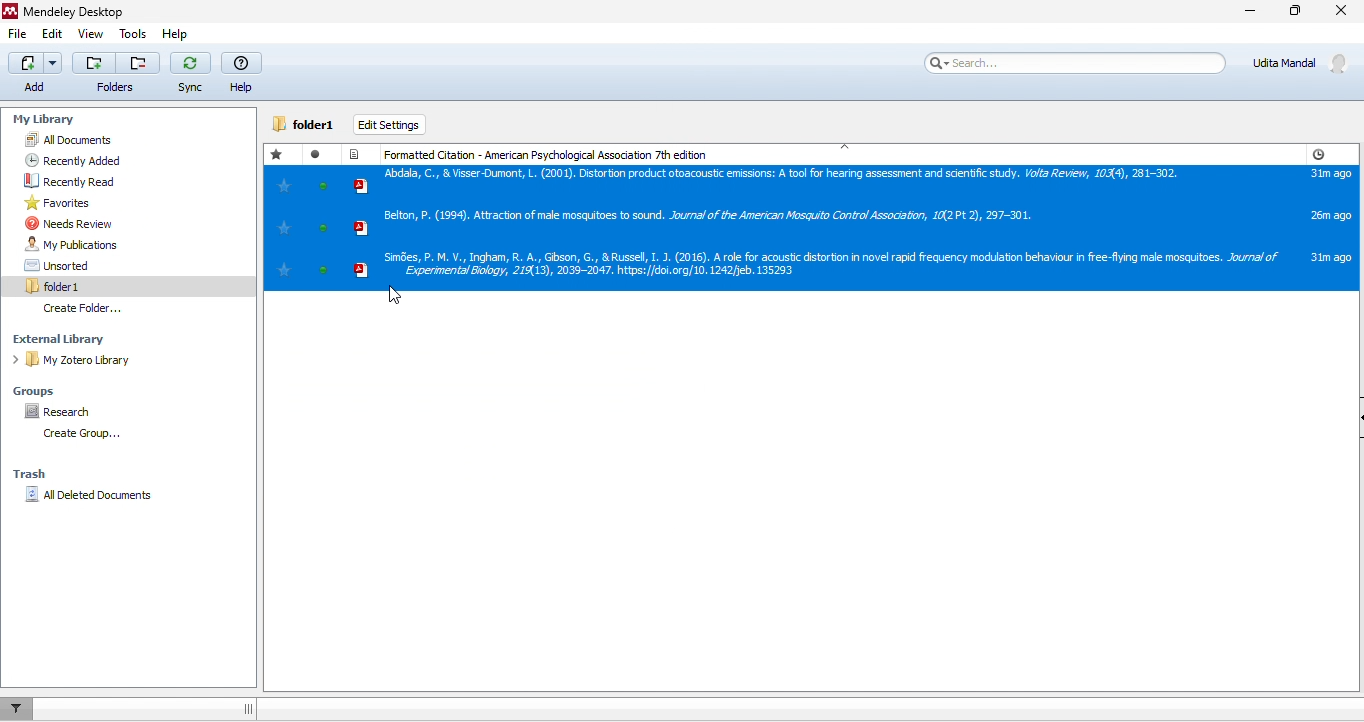 The image size is (1364, 722). I want to click on create folder, so click(78, 435).